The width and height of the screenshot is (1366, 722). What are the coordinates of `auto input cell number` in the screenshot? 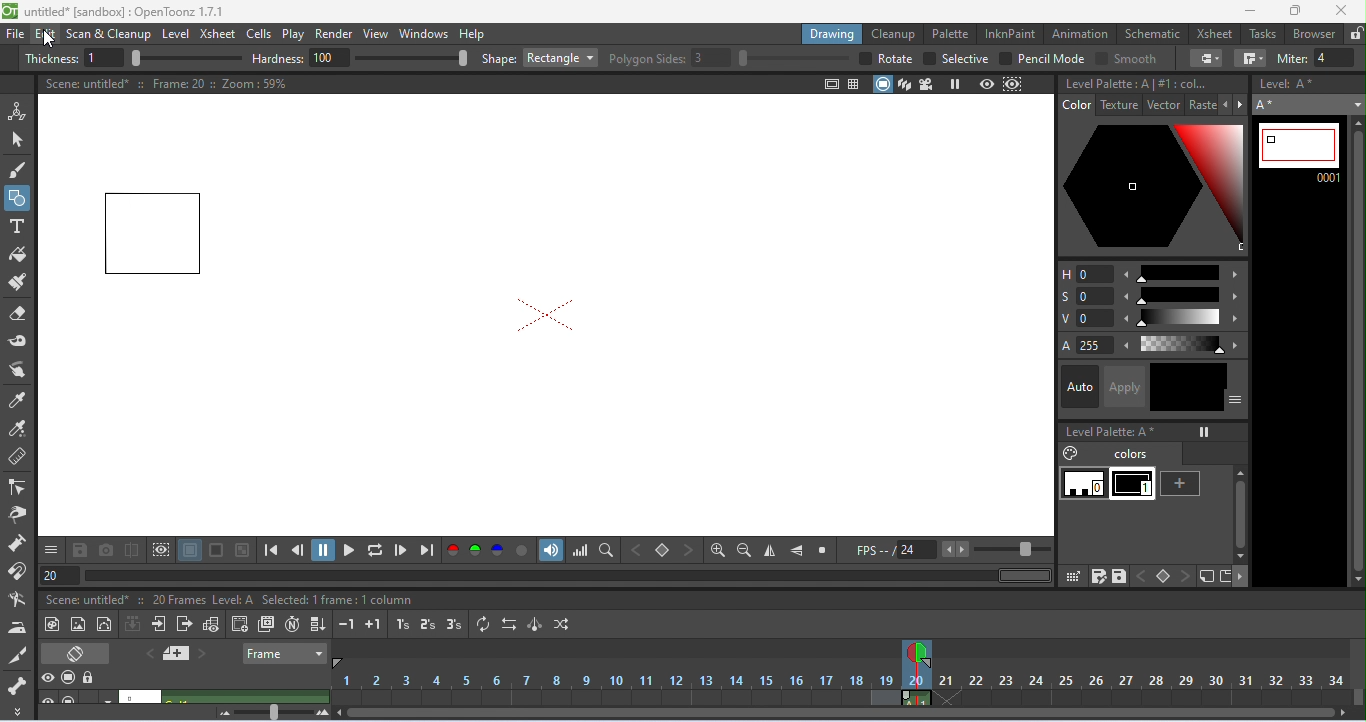 It's located at (296, 626).